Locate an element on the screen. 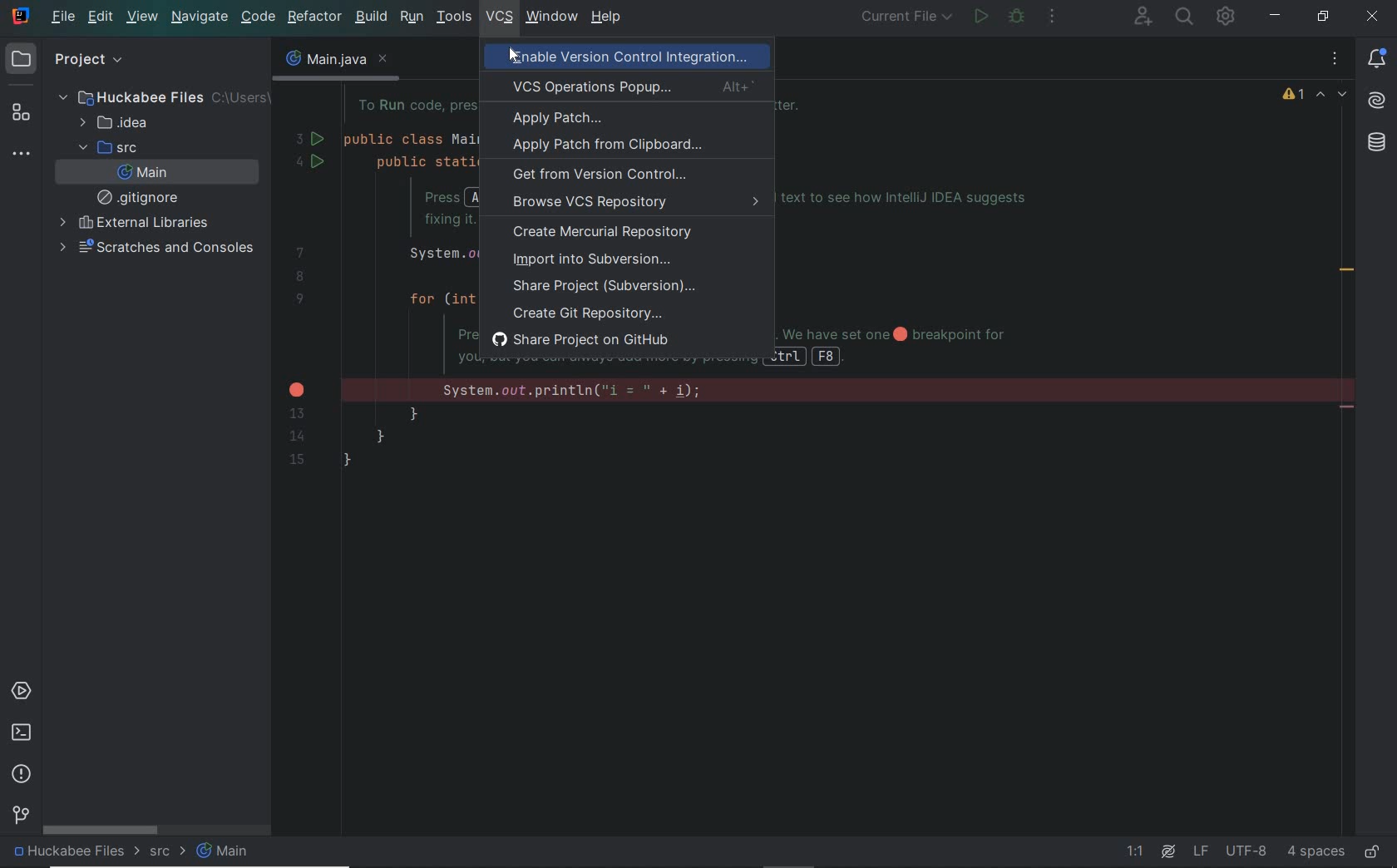  navigate is located at coordinates (199, 18).